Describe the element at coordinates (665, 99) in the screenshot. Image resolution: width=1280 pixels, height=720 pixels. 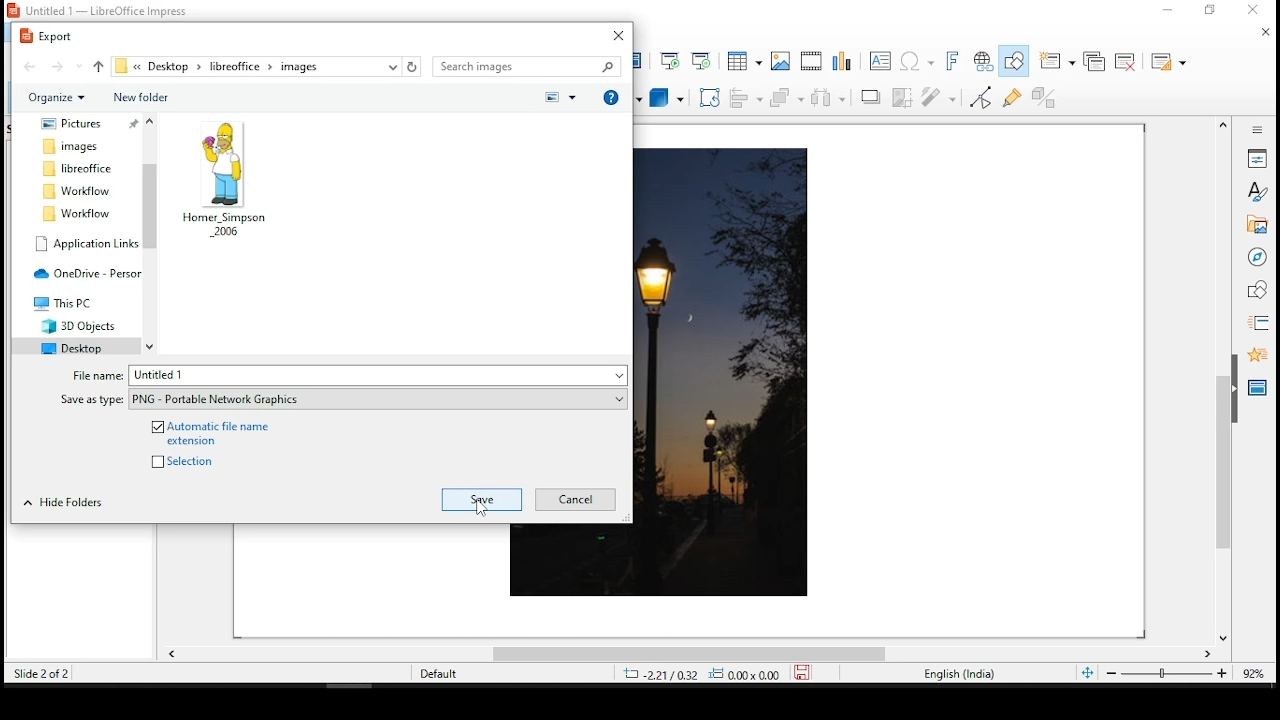
I see `3D objects` at that location.